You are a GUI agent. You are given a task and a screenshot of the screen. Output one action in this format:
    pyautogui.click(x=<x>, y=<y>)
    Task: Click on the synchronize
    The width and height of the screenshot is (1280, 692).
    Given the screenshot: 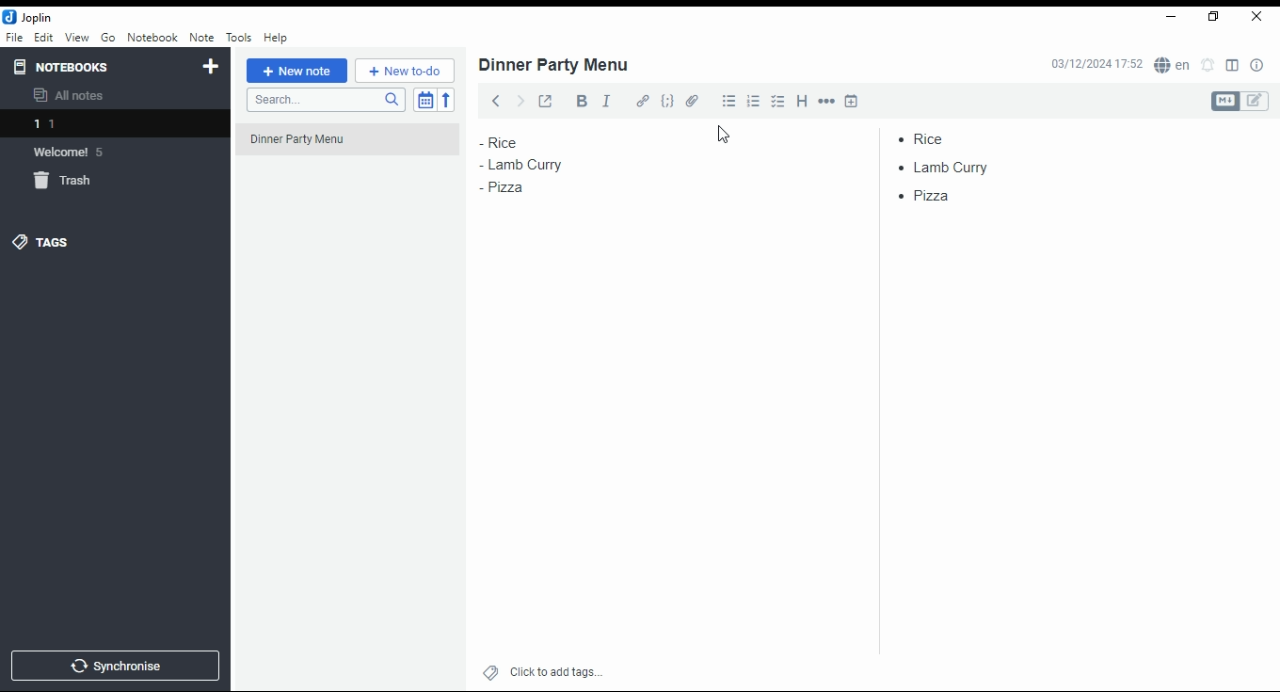 What is the action you would take?
    pyautogui.click(x=114, y=666)
    